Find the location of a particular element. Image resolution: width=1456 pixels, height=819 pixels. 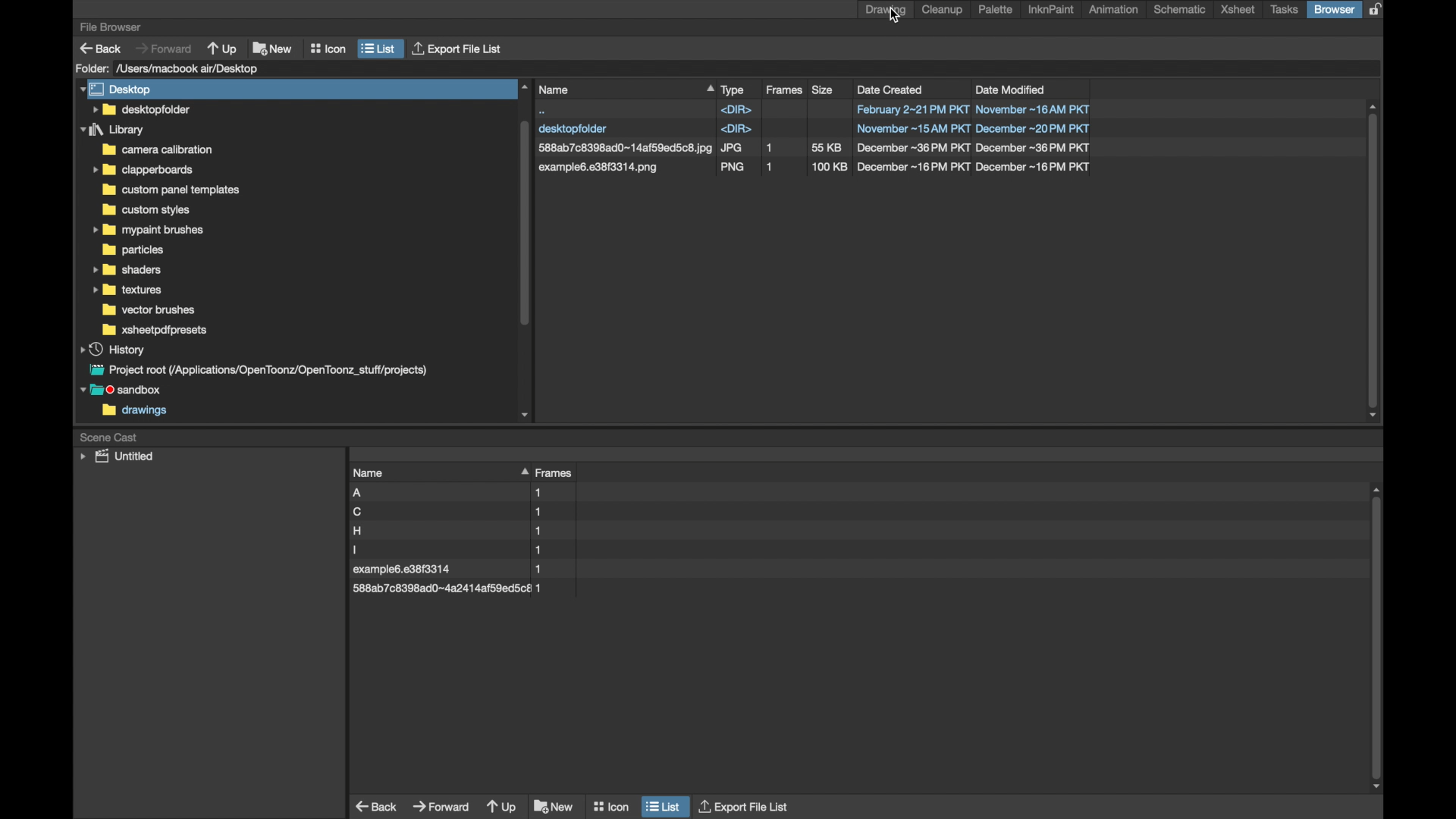

new is located at coordinates (554, 806).